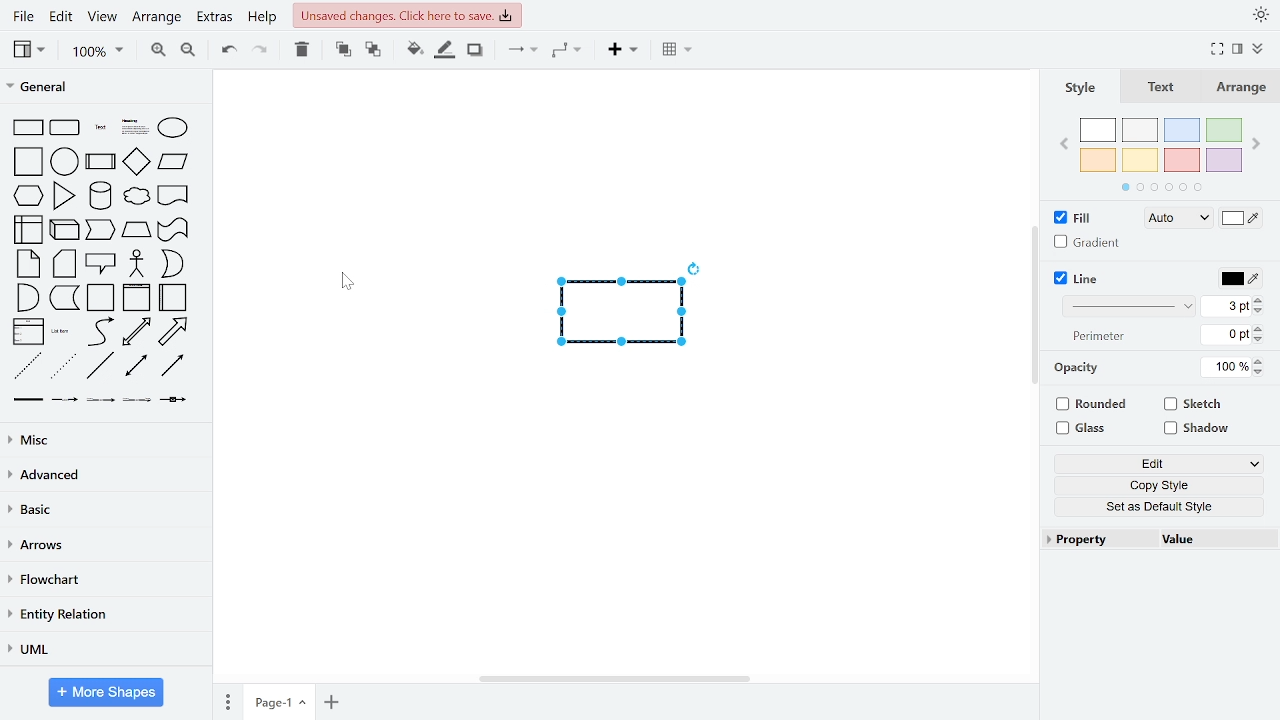 The image size is (1280, 720). What do you see at coordinates (27, 364) in the screenshot?
I see `general shapes` at bounding box center [27, 364].